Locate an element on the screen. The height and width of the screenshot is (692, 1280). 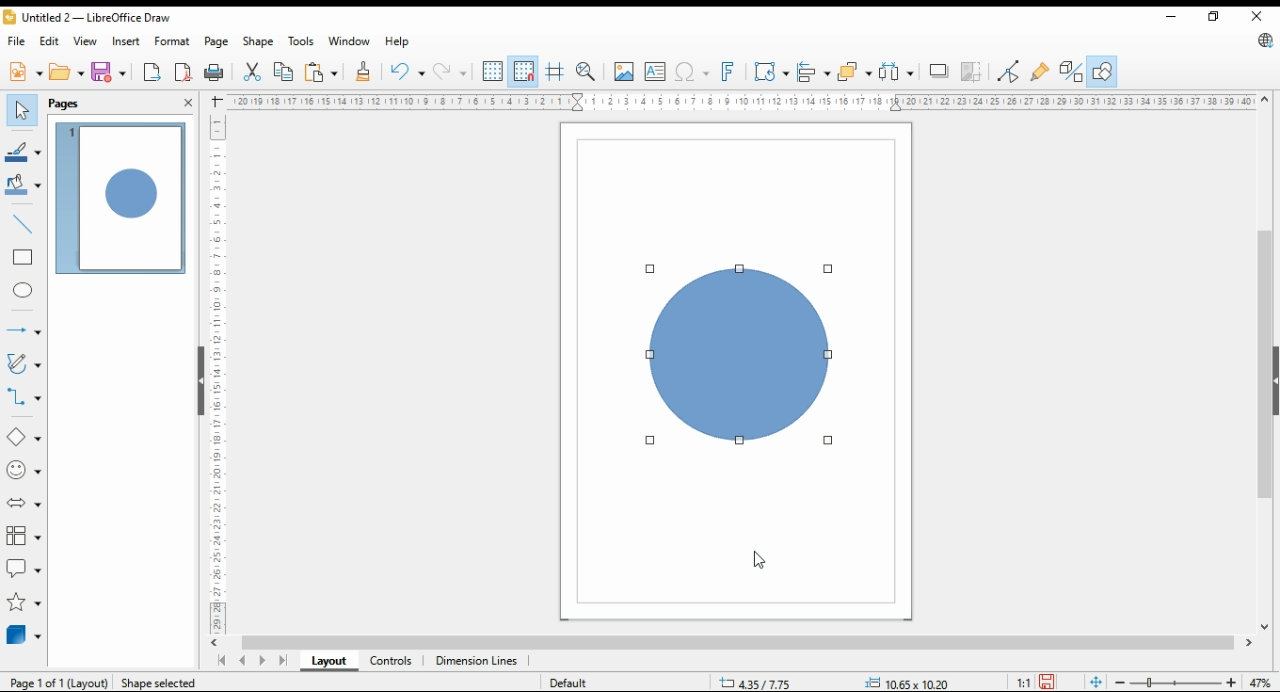
Ruler is located at coordinates (218, 369).